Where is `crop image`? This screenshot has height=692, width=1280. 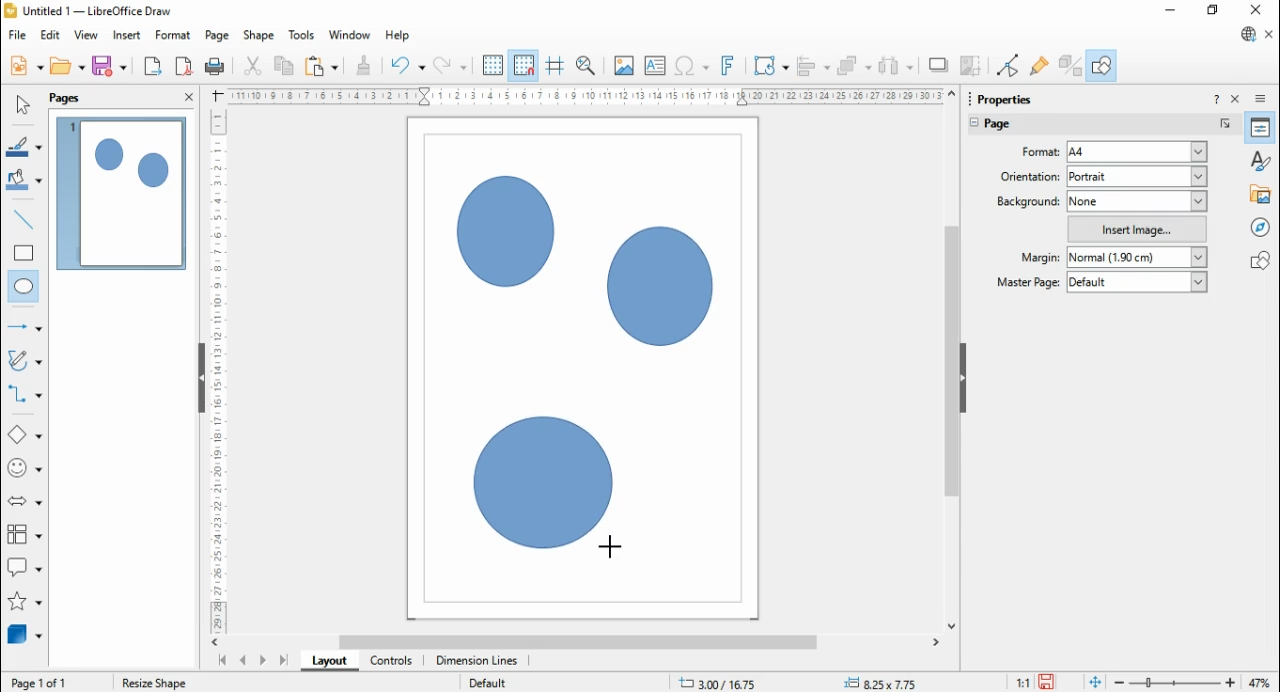
crop image is located at coordinates (973, 66).